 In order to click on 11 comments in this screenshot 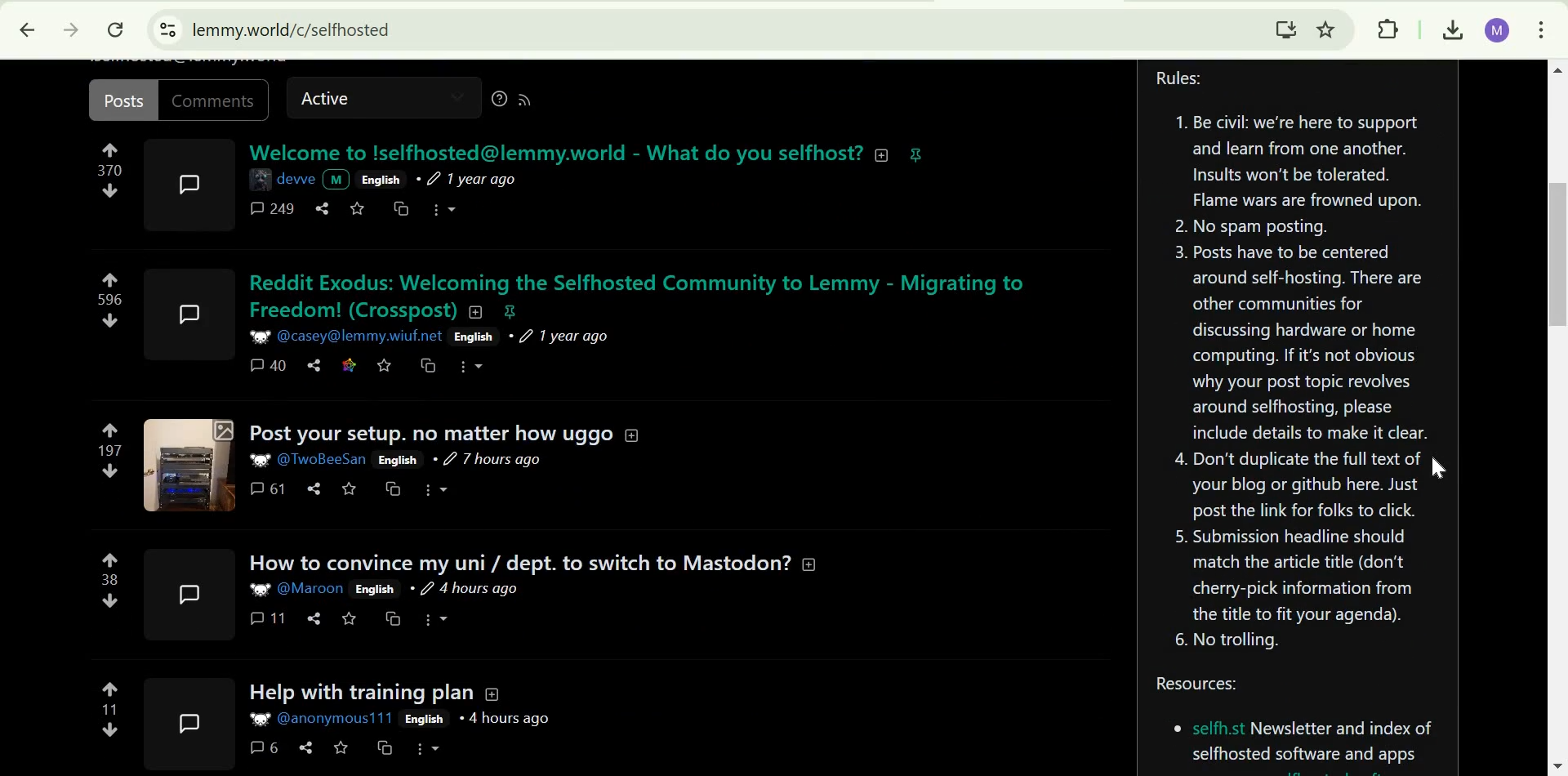, I will do `click(268, 618)`.